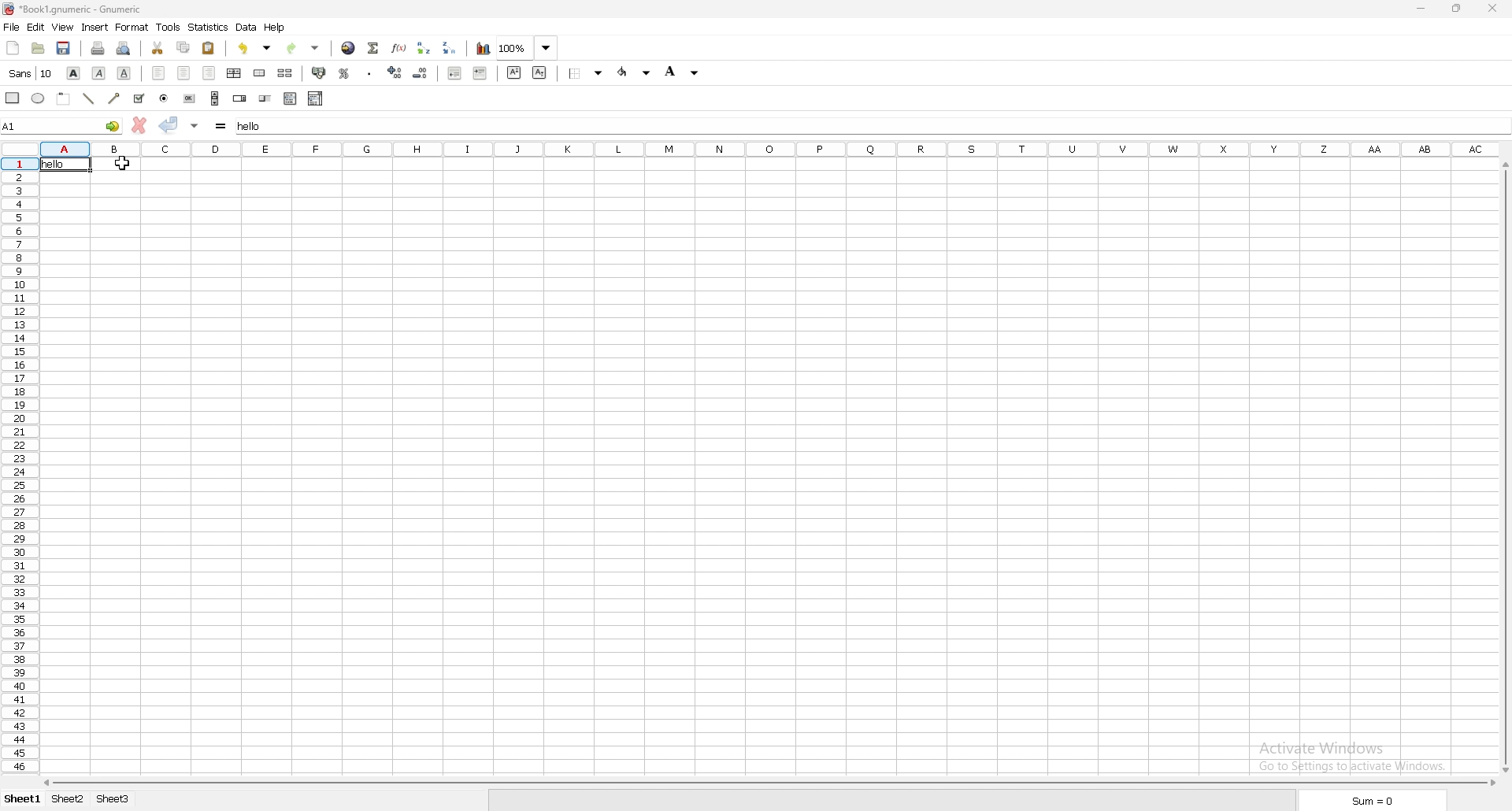 Image resolution: width=1512 pixels, height=811 pixels. What do you see at coordinates (168, 27) in the screenshot?
I see `tools` at bounding box center [168, 27].